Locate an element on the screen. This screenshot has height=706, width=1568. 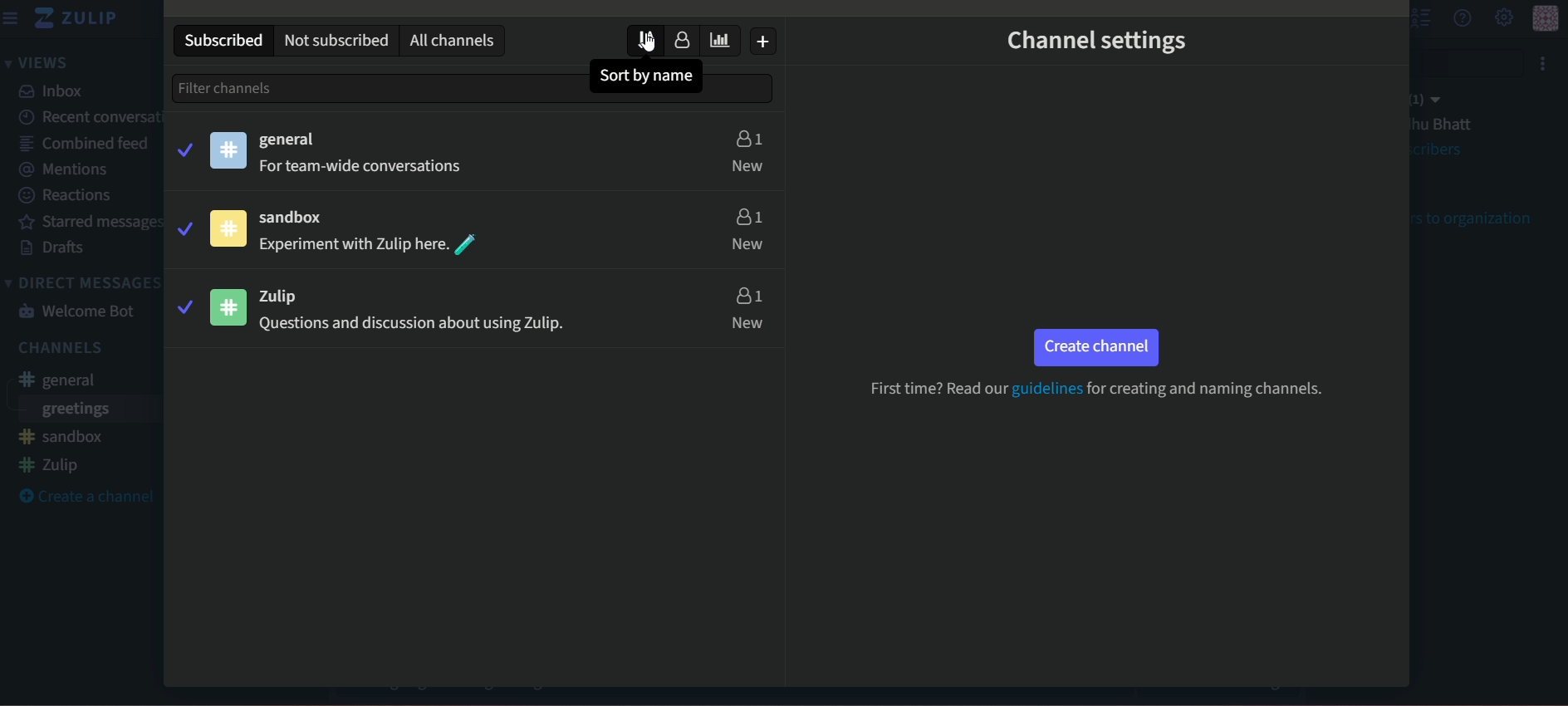
sandbox is located at coordinates (61, 438).